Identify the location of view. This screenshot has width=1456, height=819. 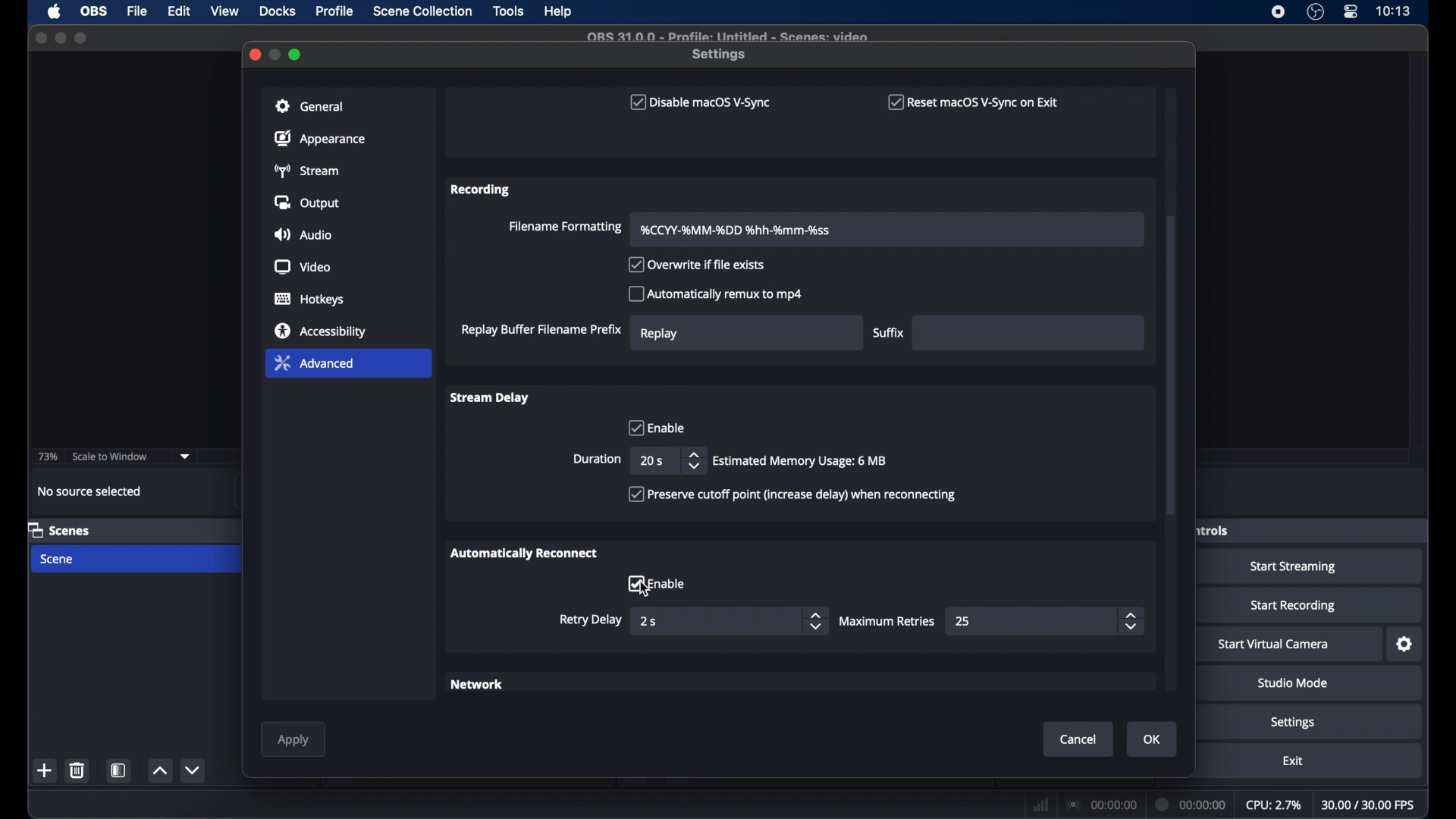
(226, 11).